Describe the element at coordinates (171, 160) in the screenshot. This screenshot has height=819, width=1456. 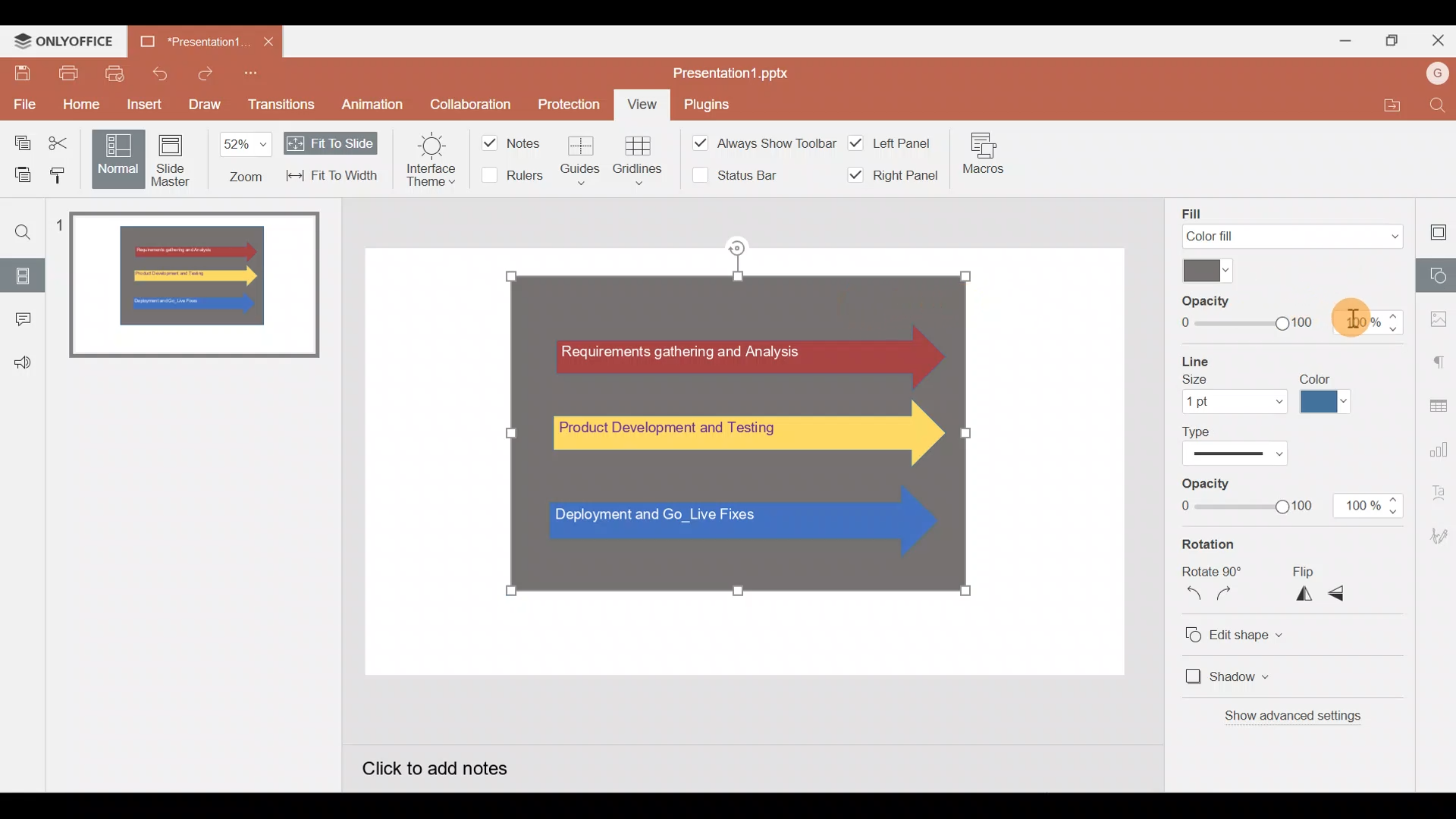
I see `Slide master` at that location.